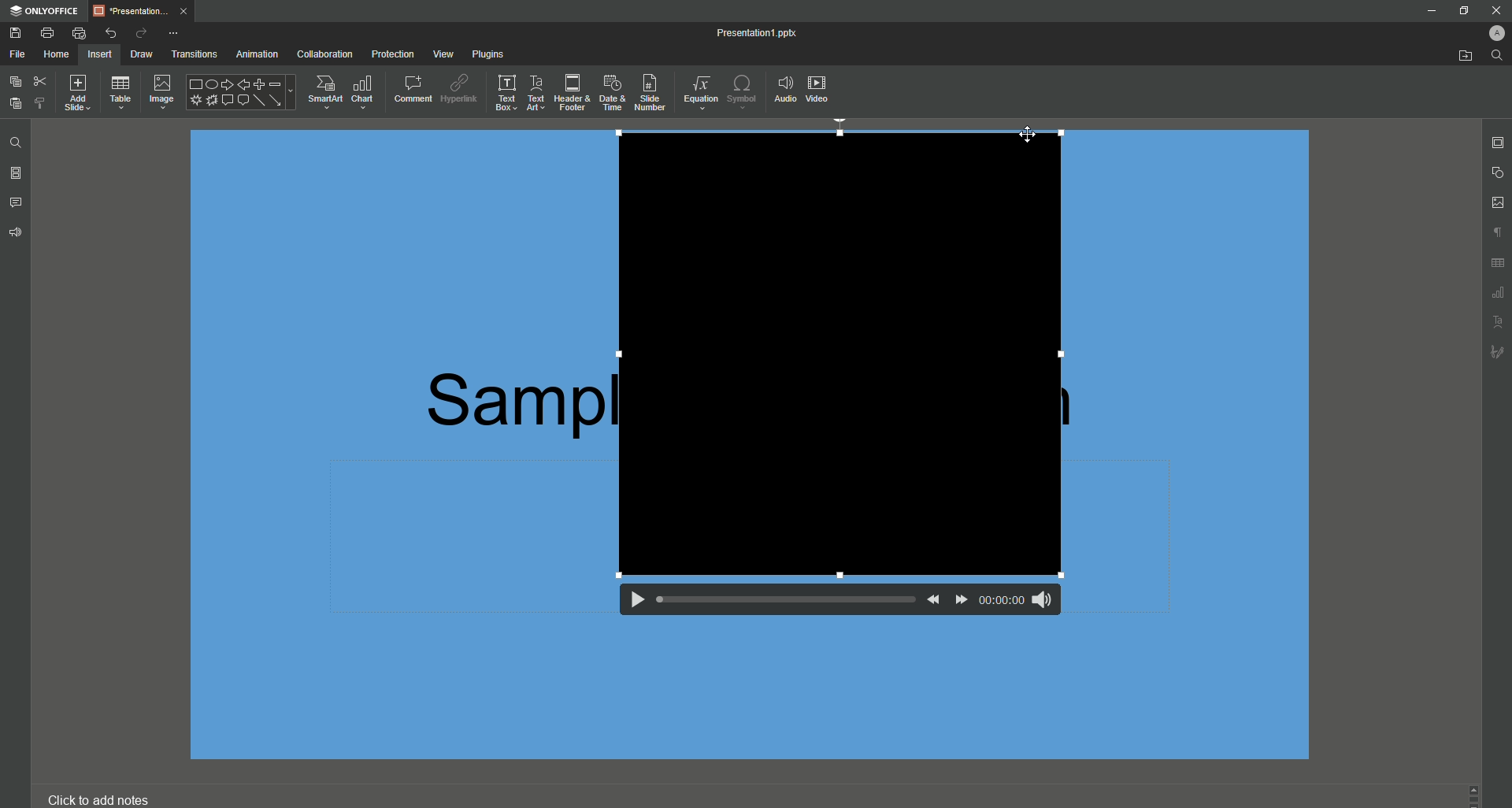 This screenshot has height=808, width=1512. Describe the element at coordinates (365, 91) in the screenshot. I see `Chart` at that location.